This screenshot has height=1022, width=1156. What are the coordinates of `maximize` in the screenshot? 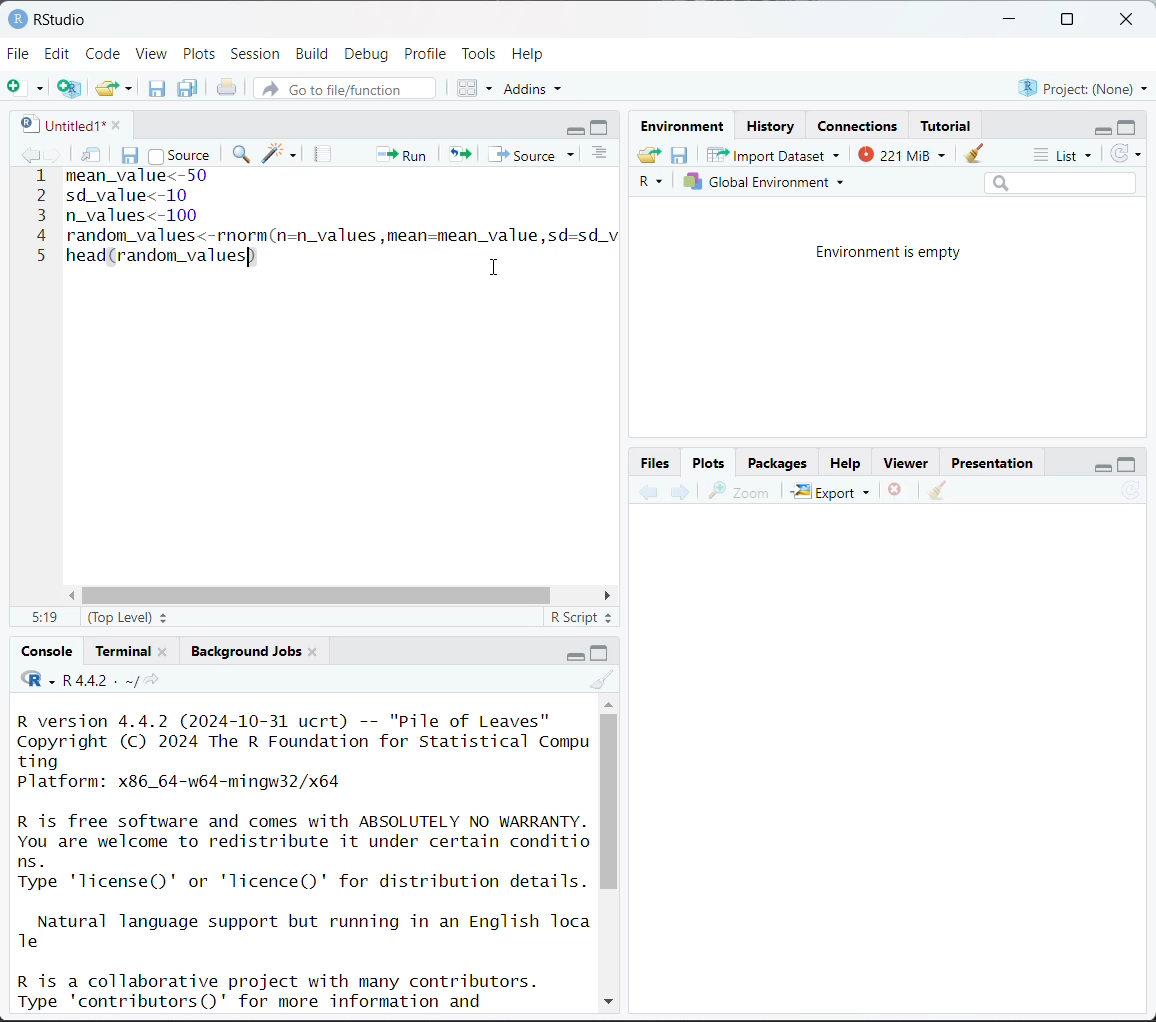 It's located at (601, 652).